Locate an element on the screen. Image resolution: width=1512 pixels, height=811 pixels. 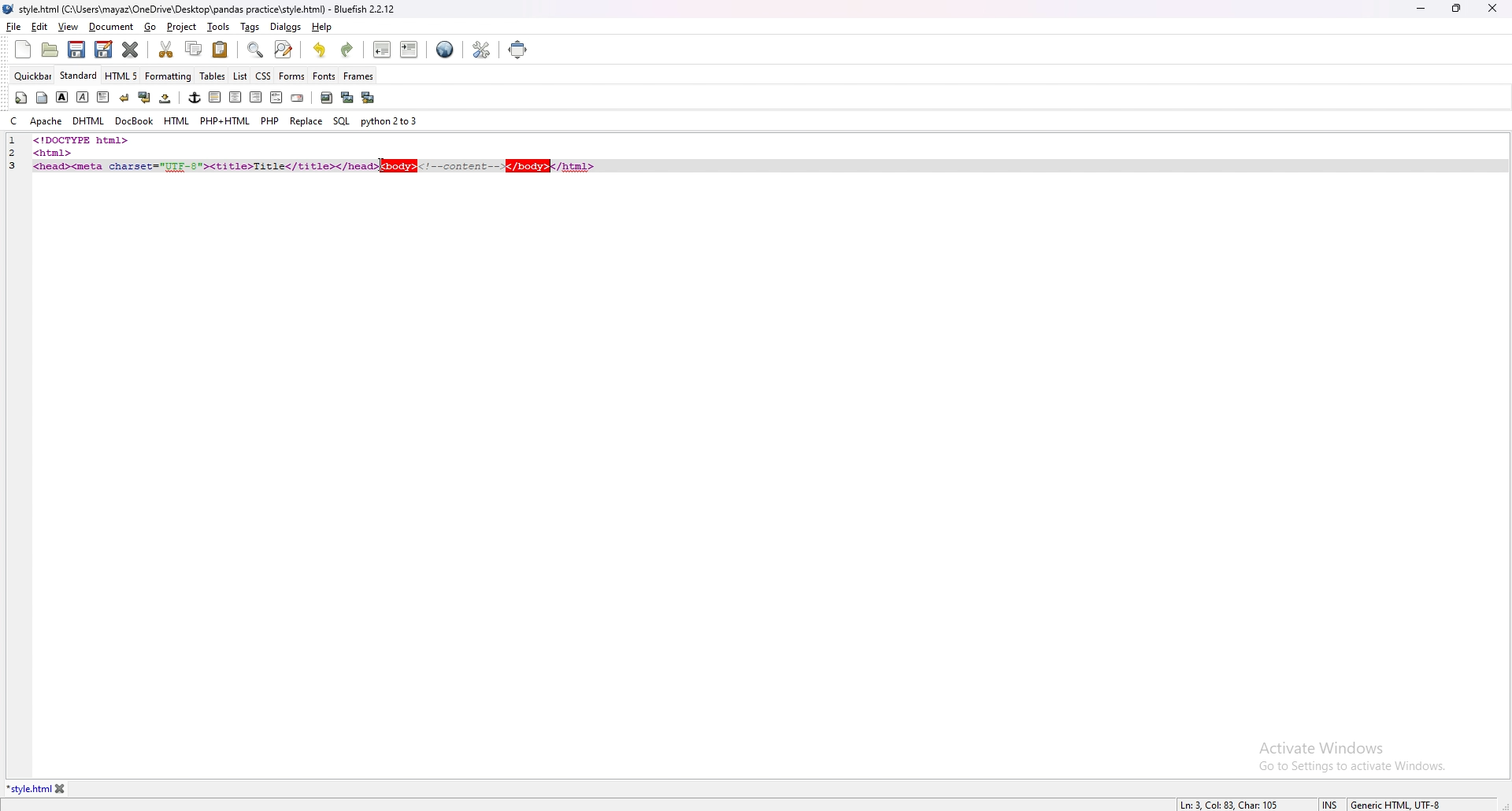
document is located at coordinates (112, 28).